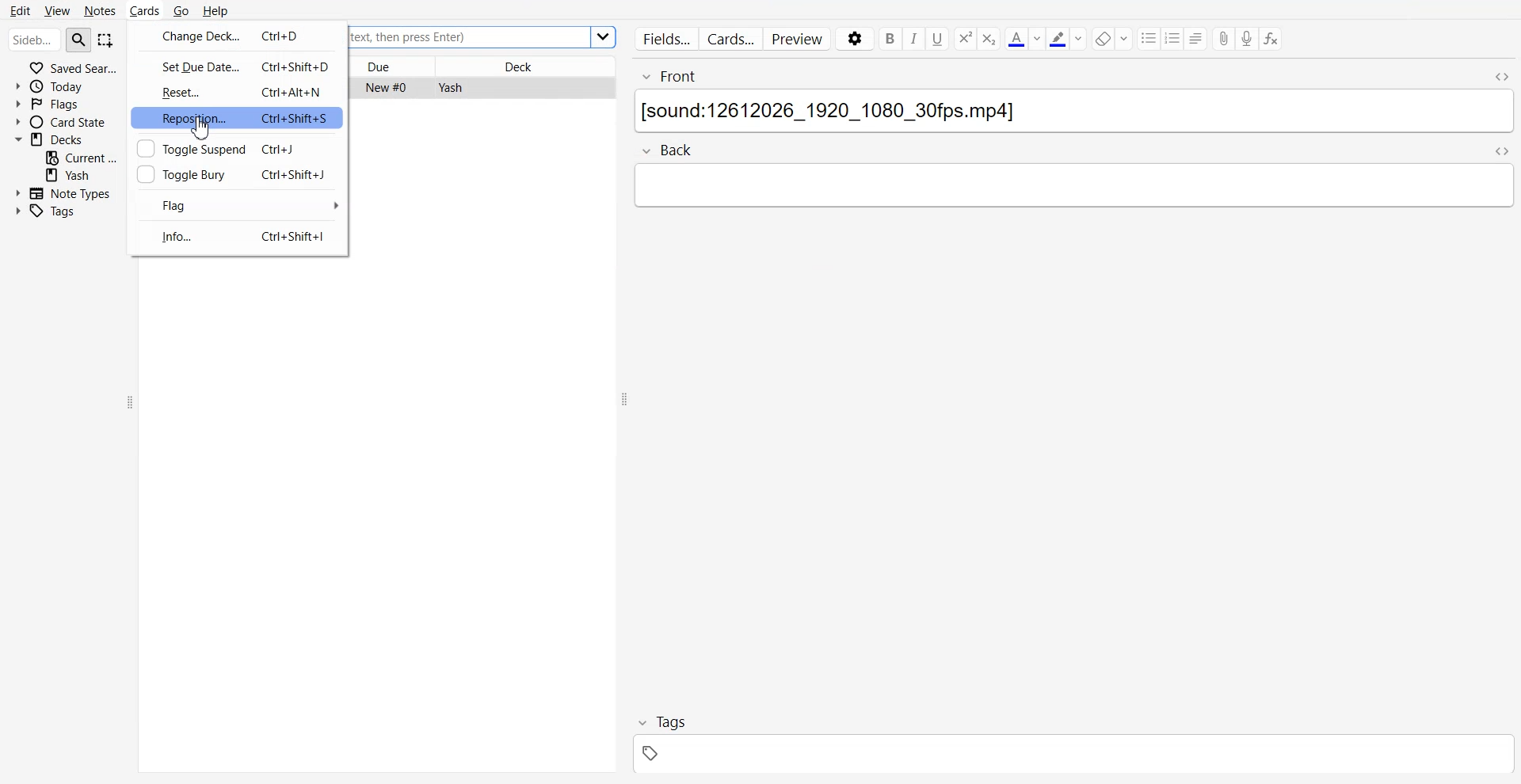 The height and width of the screenshot is (784, 1521). I want to click on Search, so click(79, 39).